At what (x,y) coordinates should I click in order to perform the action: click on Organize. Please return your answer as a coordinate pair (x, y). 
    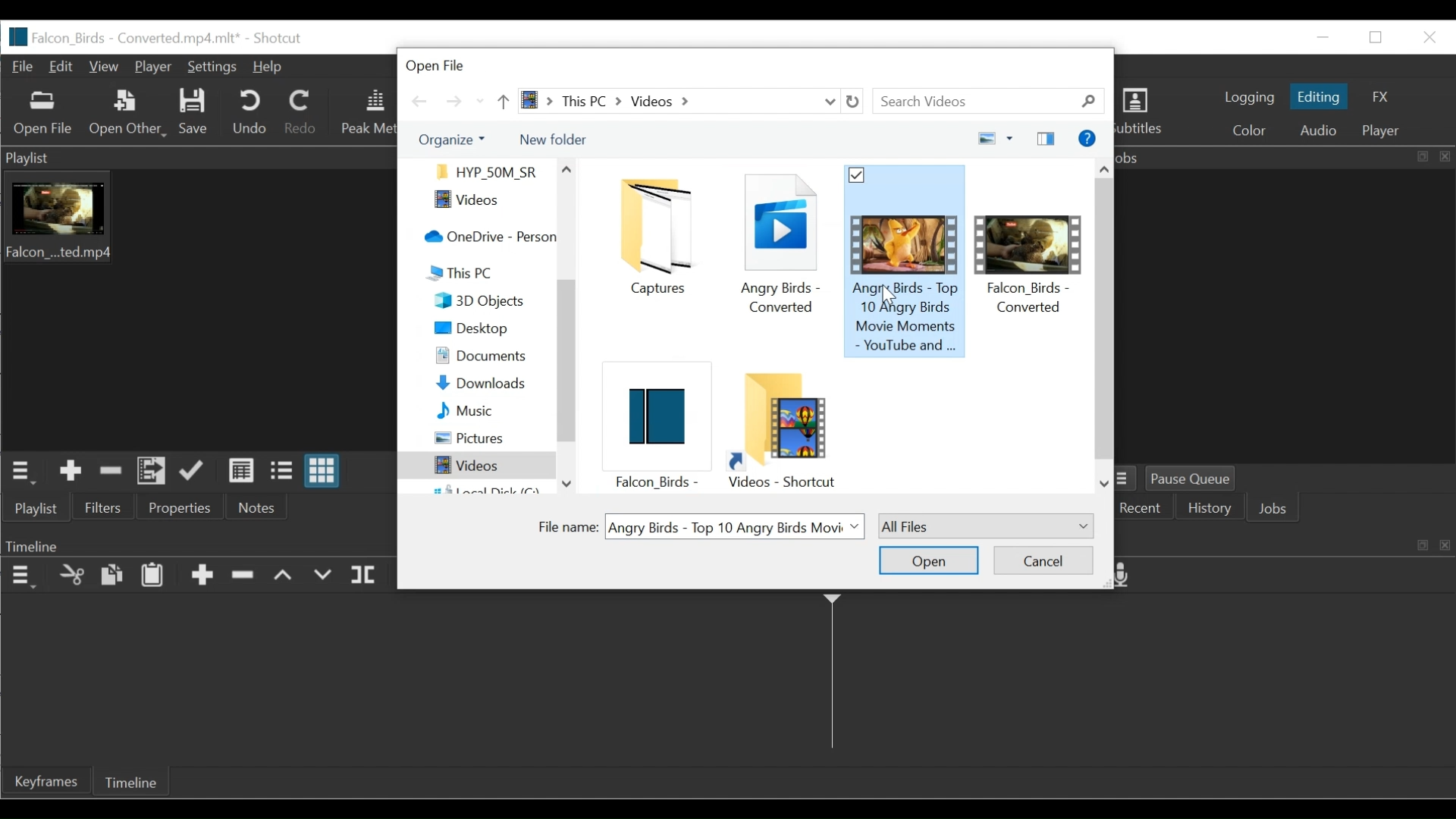
    Looking at the image, I should click on (450, 140).